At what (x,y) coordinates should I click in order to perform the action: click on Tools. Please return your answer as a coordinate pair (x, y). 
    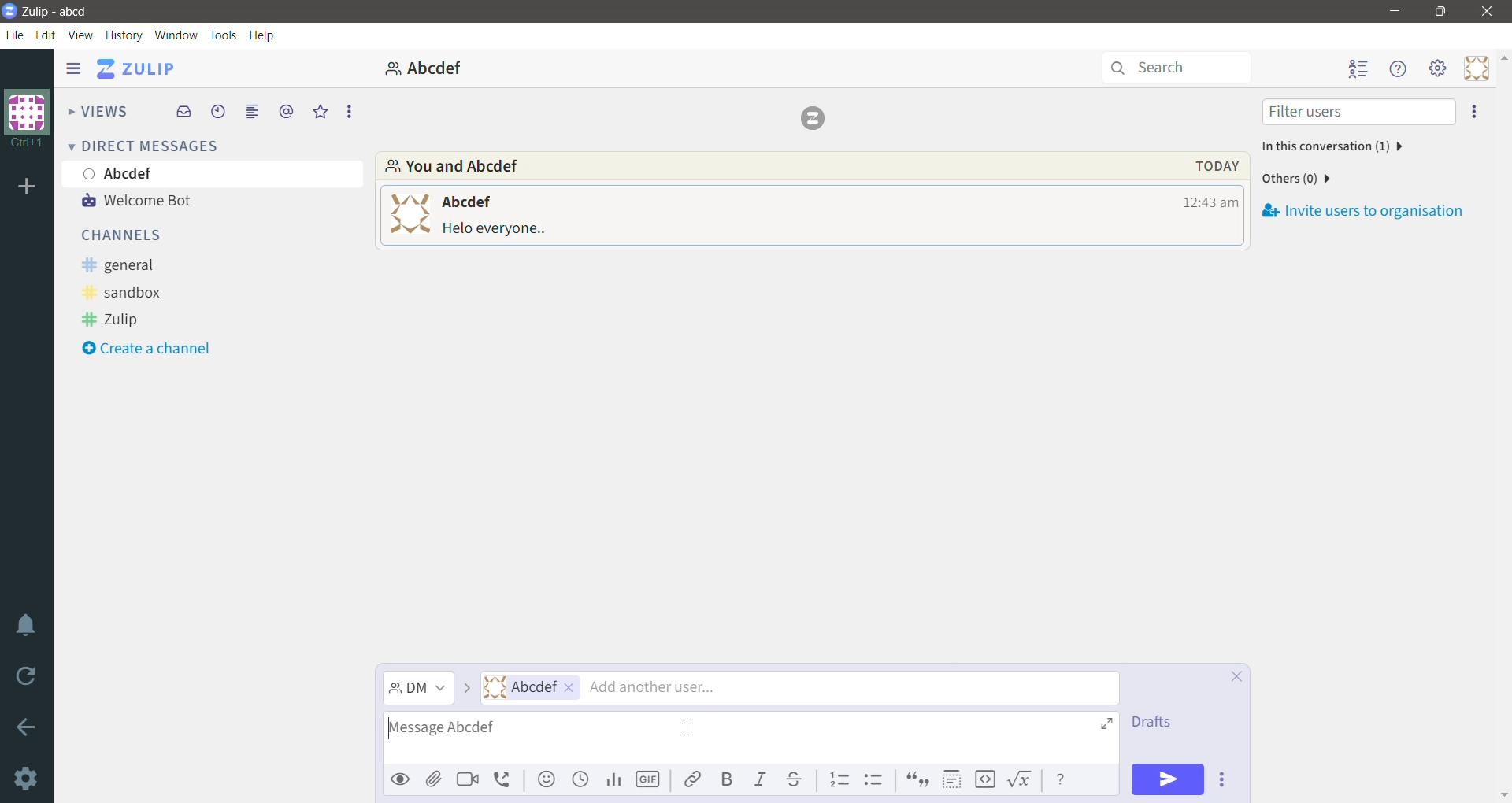
    Looking at the image, I should click on (225, 35).